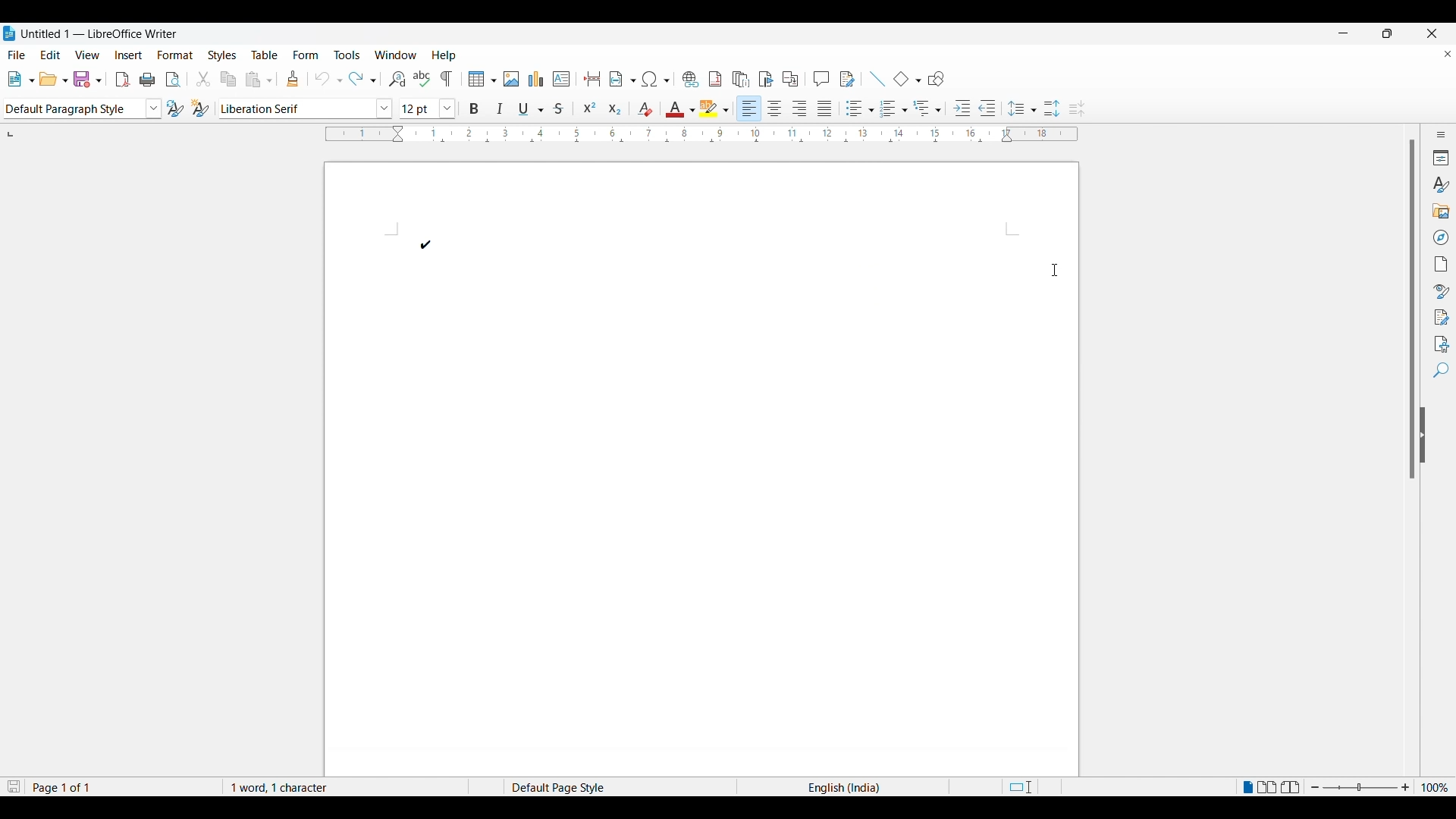 The image size is (1456, 819). What do you see at coordinates (54, 78) in the screenshot?
I see `open document` at bounding box center [54, 78].